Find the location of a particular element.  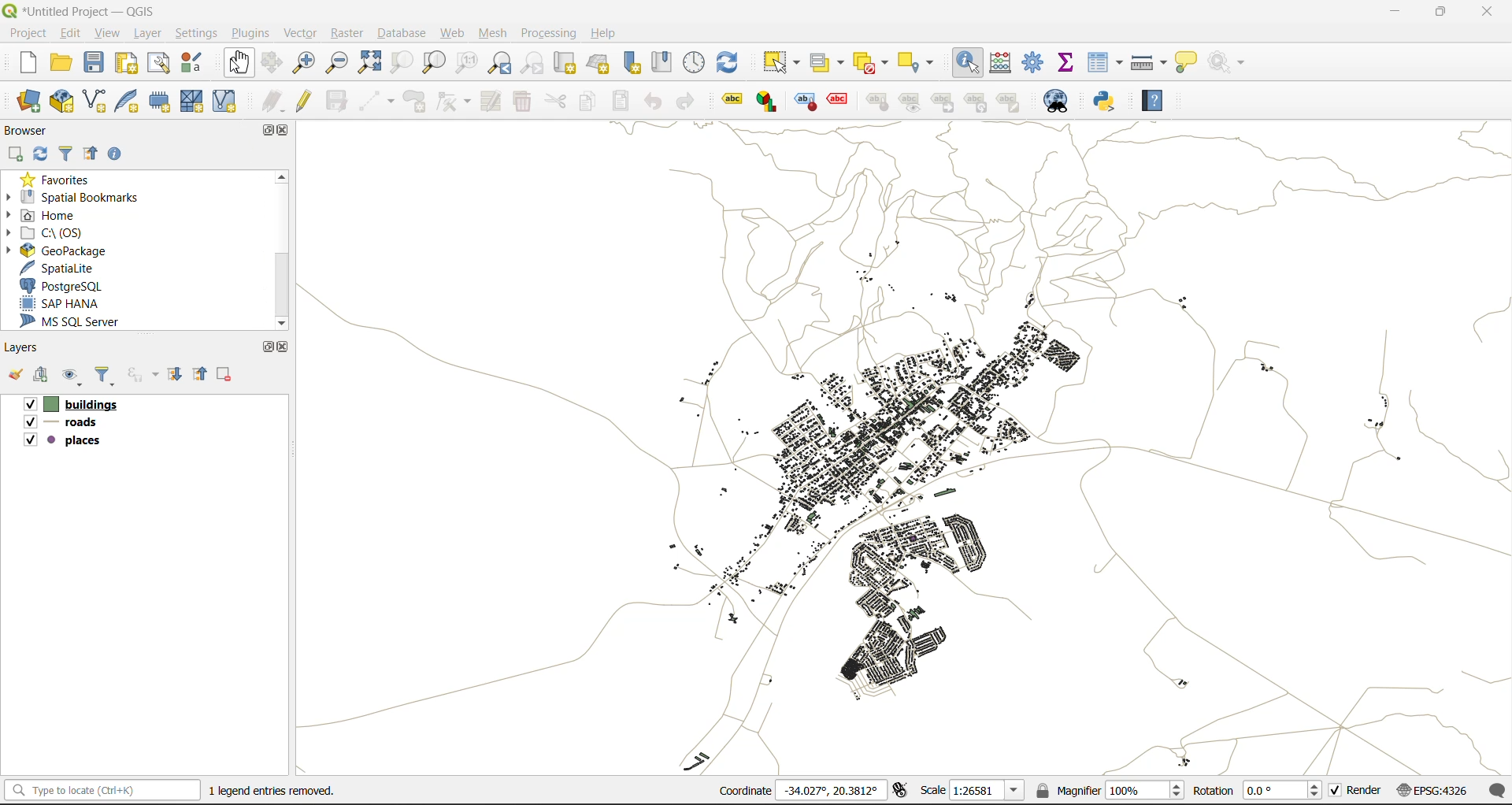

statistical summary is located at coordinates (1069, 62).